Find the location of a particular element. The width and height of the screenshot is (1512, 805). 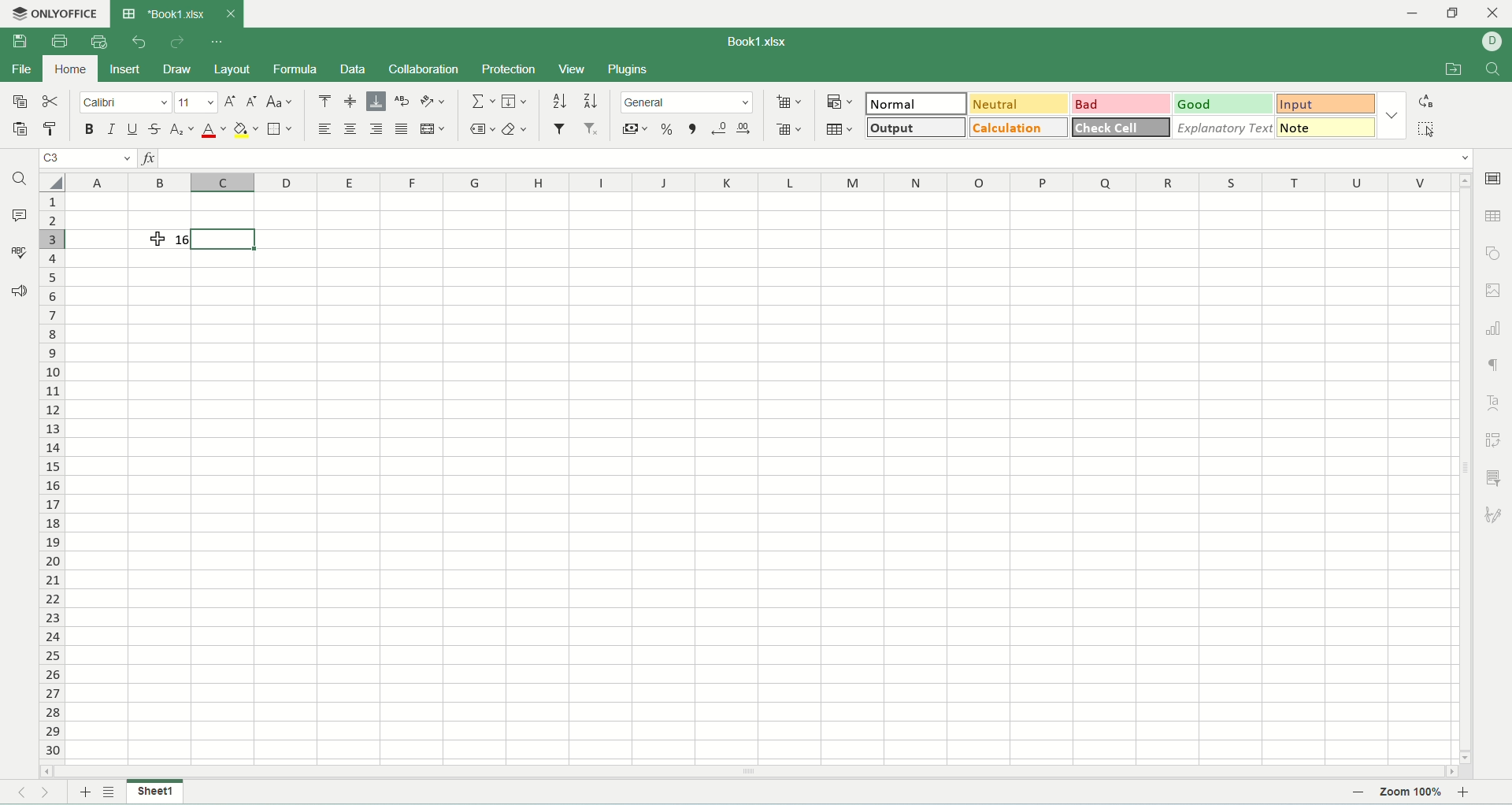

cell position is located at coordinates (86, 159).